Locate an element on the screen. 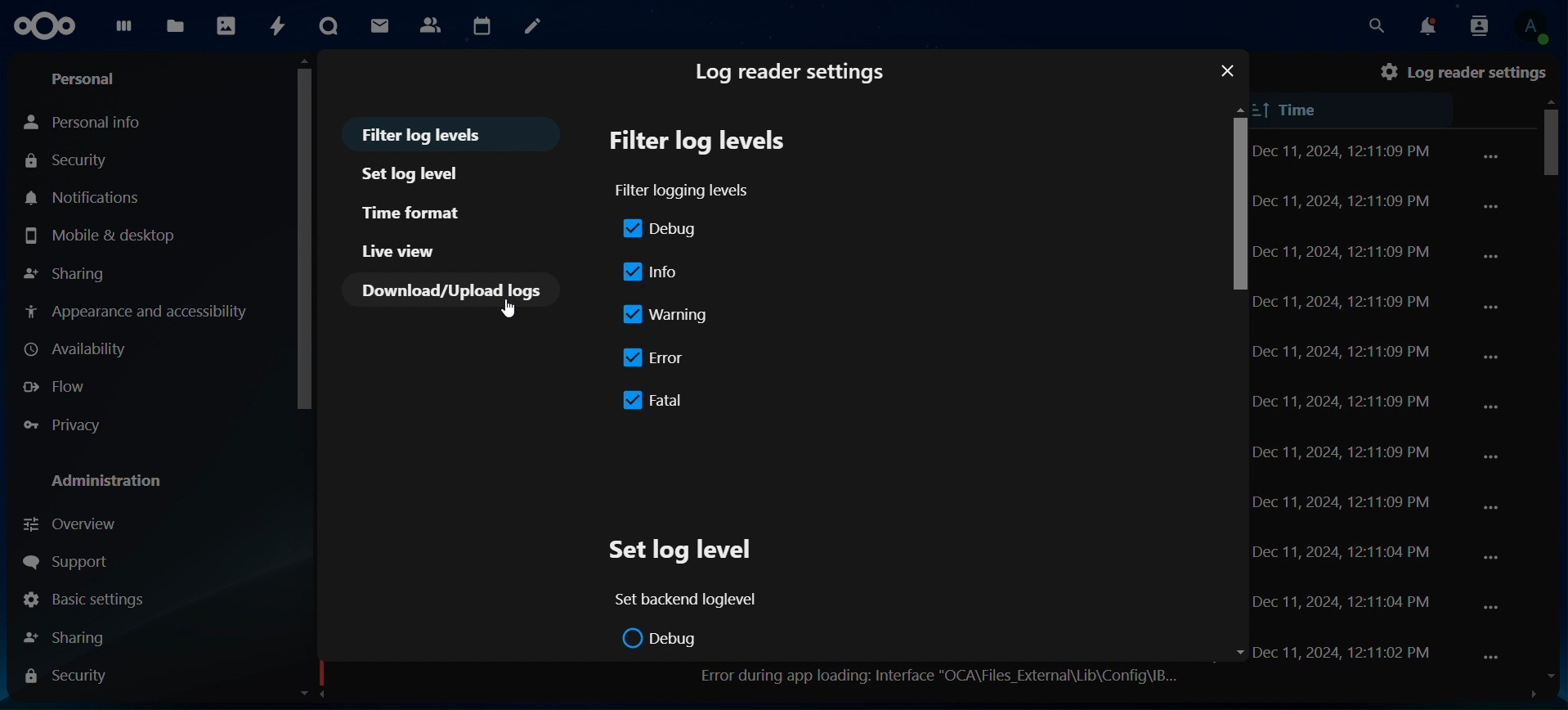 The image size is (1568, 710). mobile & desktop is located at coordinates (100, 236).